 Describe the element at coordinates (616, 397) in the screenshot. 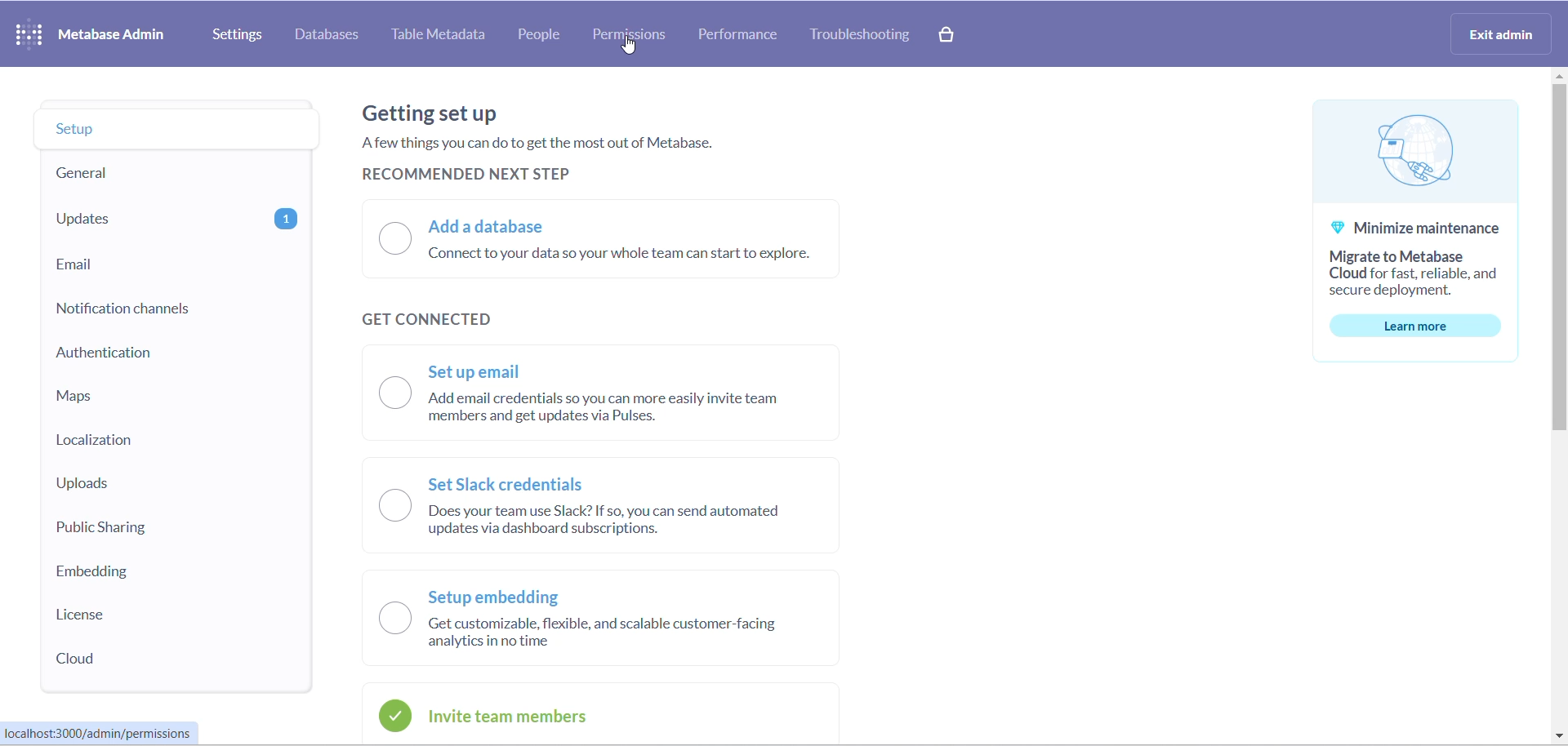

I see `set up email radio button` at that location.